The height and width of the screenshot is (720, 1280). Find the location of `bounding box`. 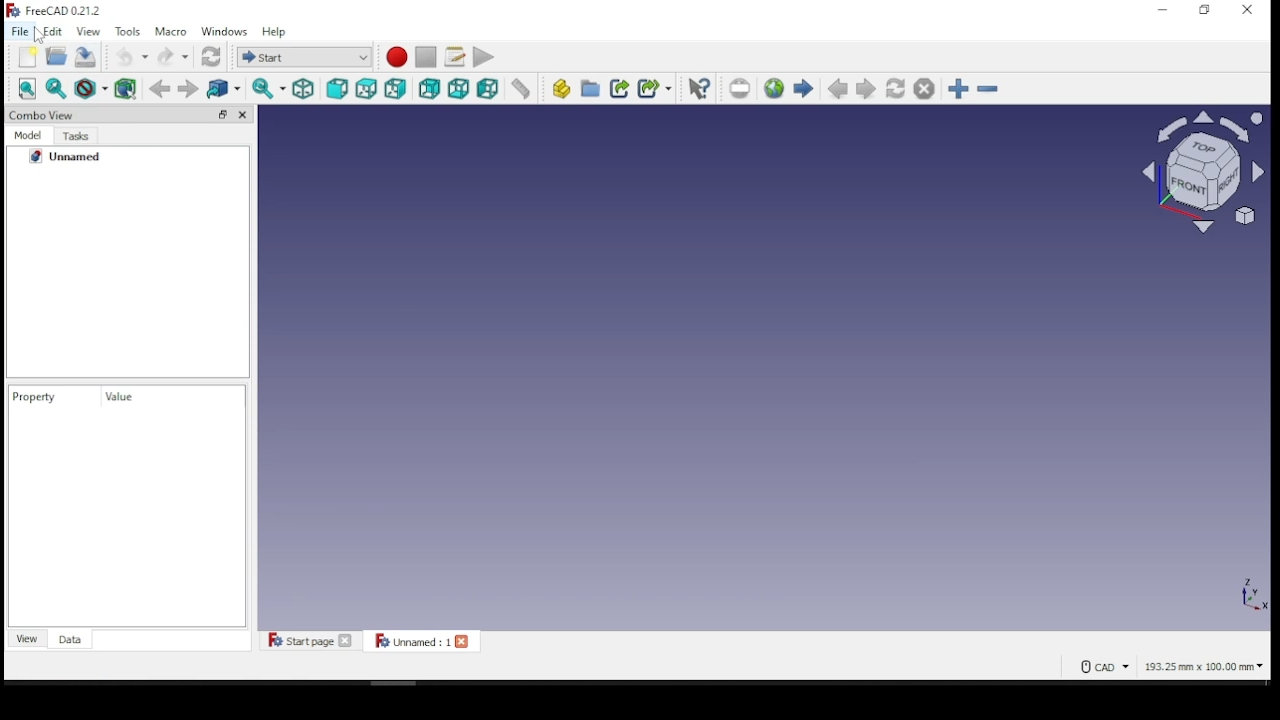

bounding box is located at coordinates (122, 87).